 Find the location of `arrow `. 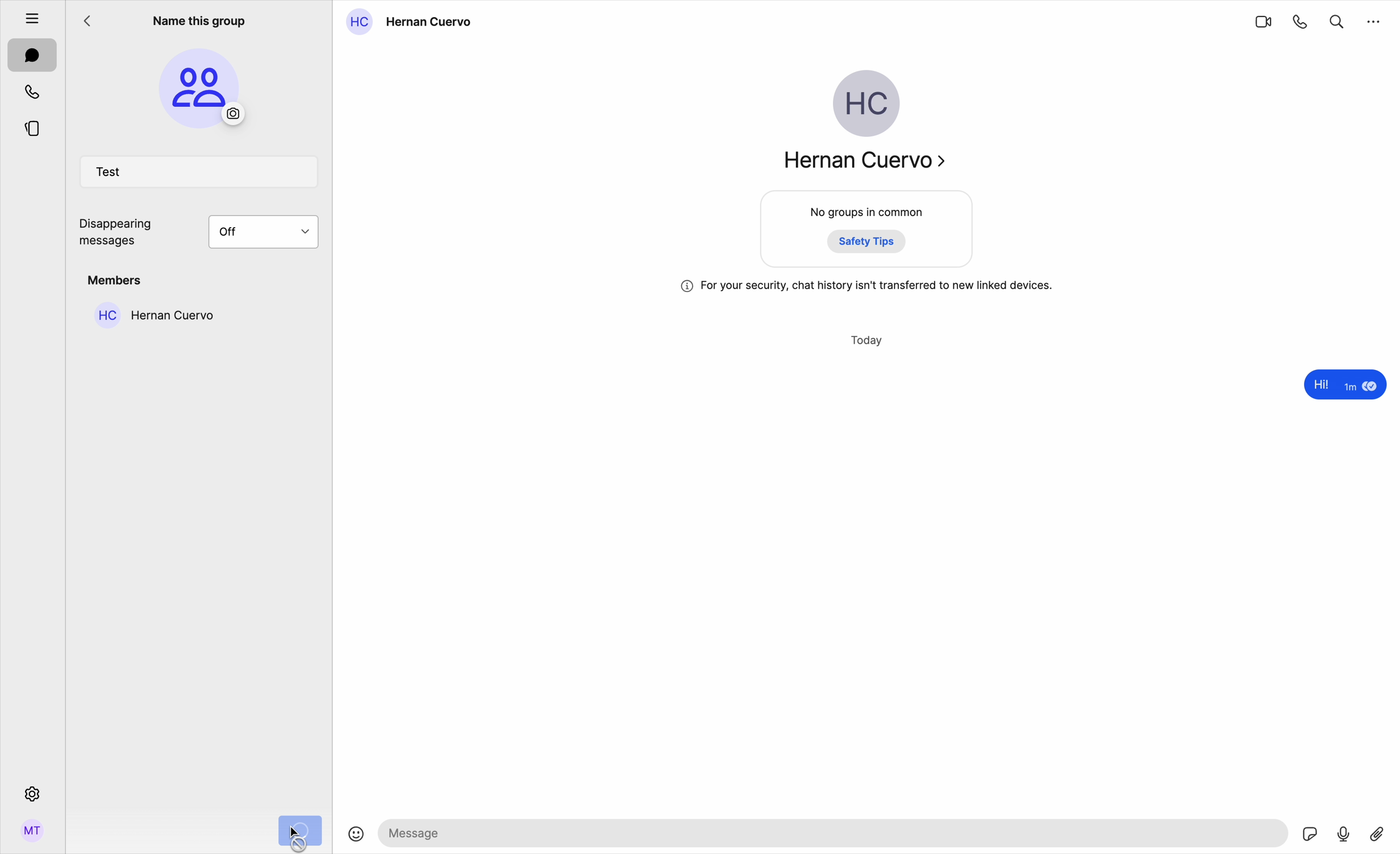

arrow  is located at coordinates (92, 24).